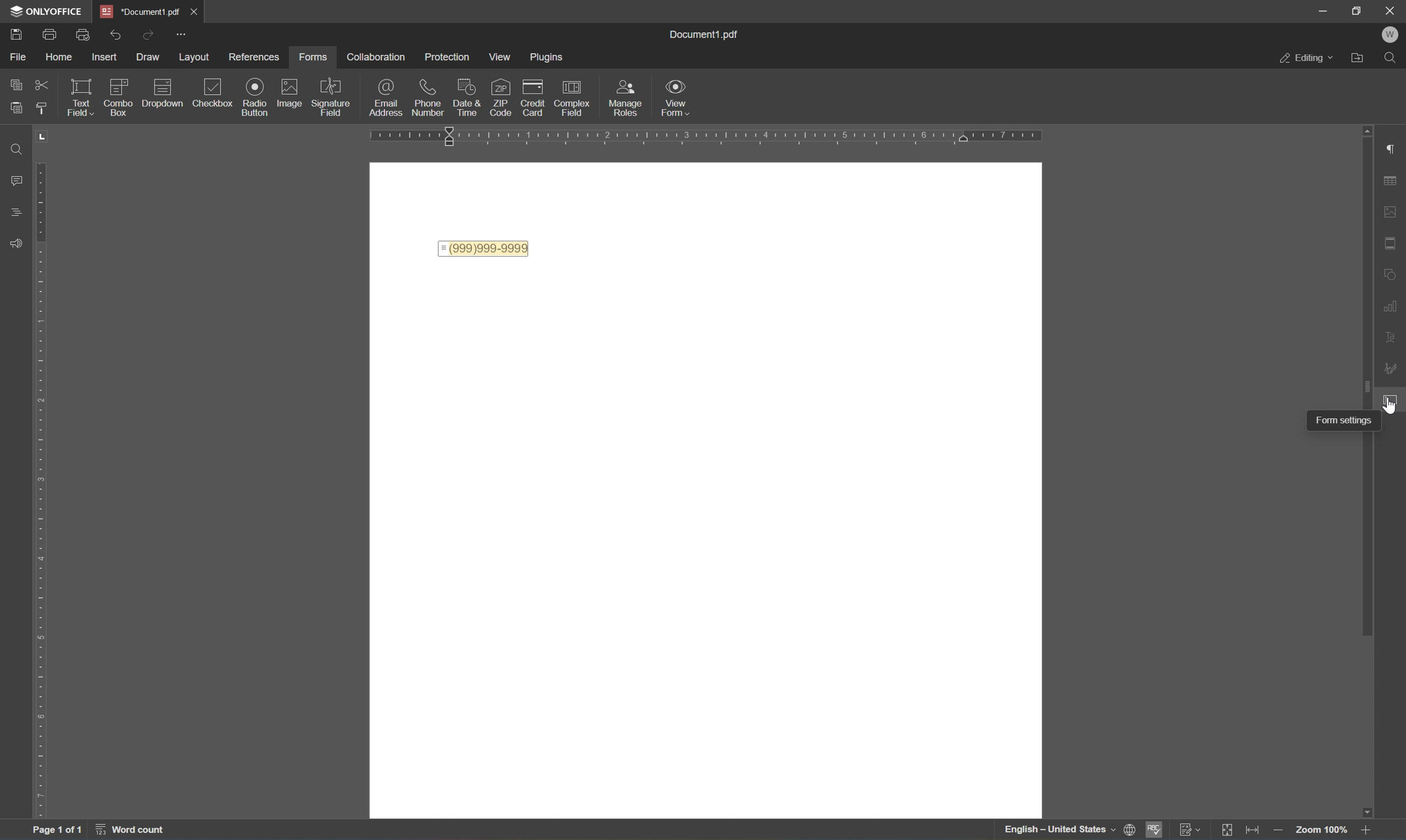 This screenshot has height=840, width=1406. What do you see at coordinates (332, 97) in the screenshot?
I see `signature field` at bounding box center [332, 97].